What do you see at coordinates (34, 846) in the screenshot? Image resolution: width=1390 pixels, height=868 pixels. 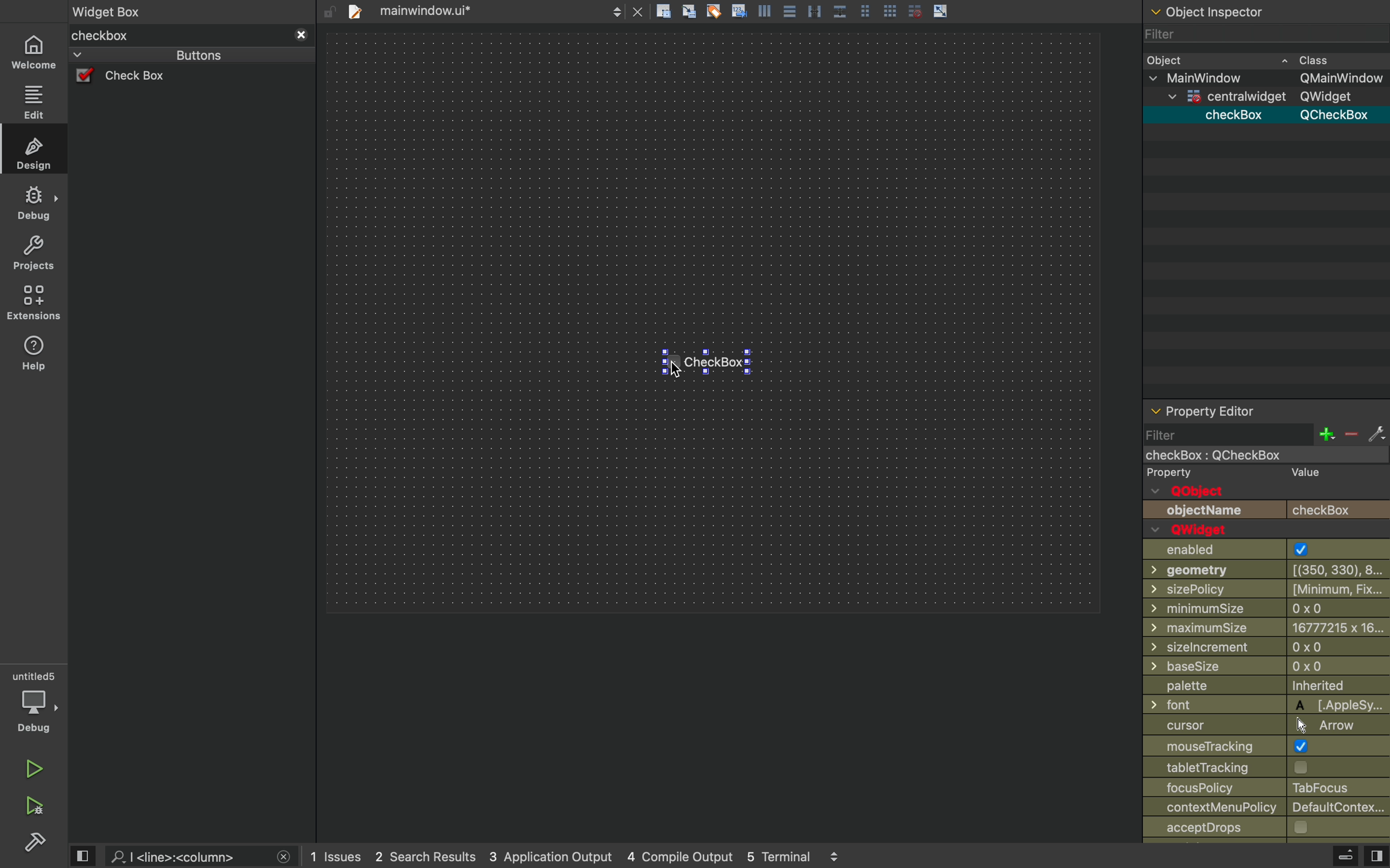 I see `build` at bounding box center [34, 846].